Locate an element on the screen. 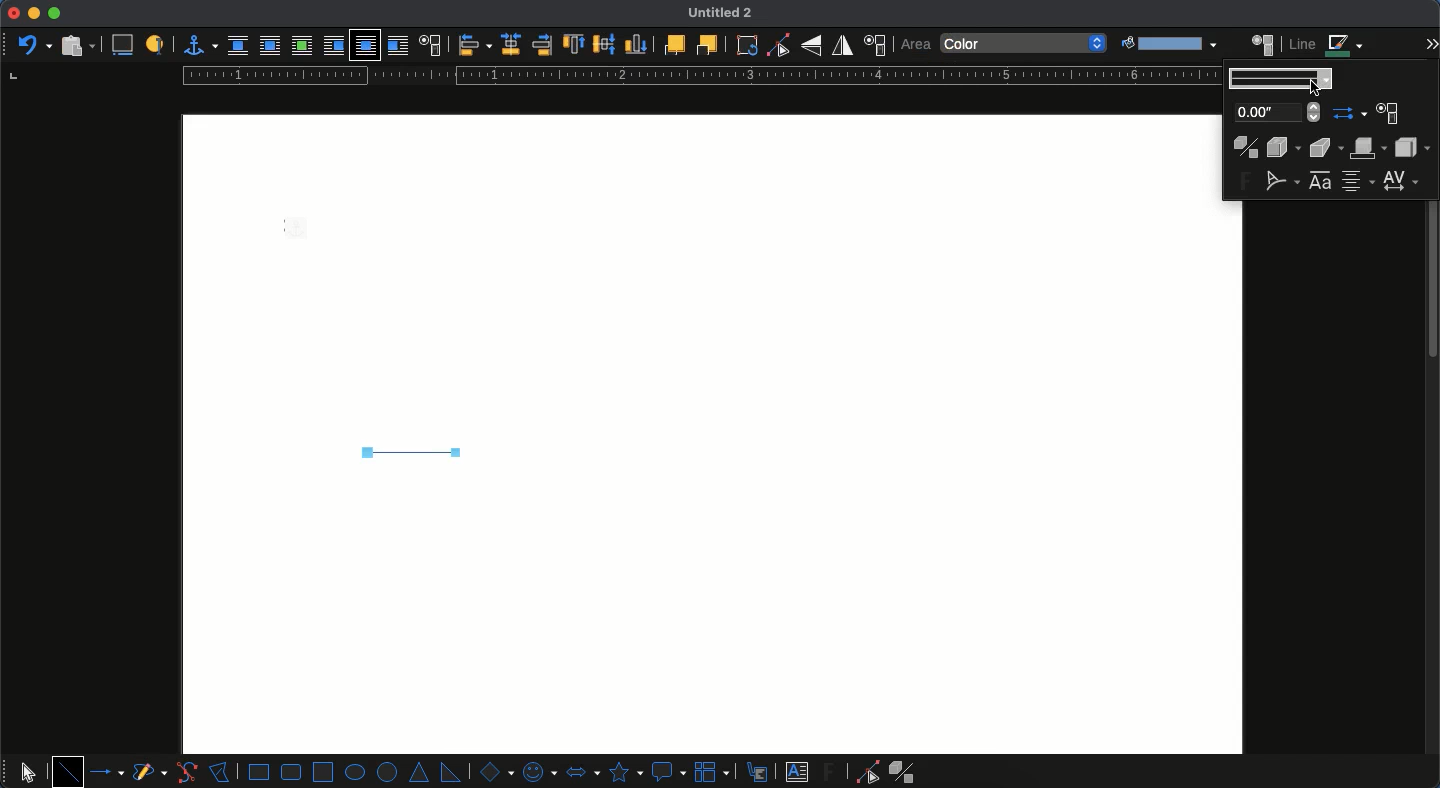  rotate is located at coordinates (747, 45).